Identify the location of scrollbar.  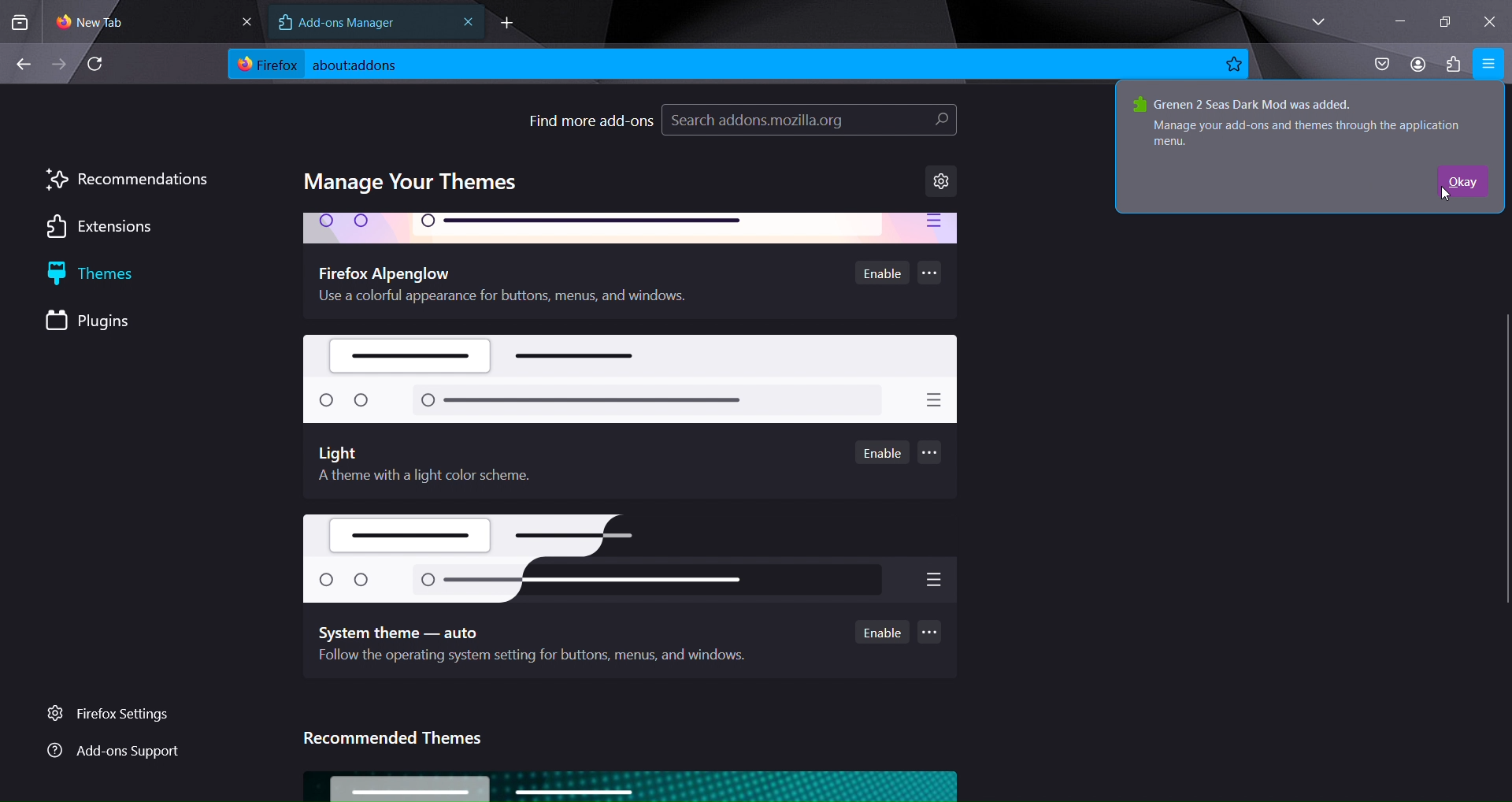
(1503, 346).